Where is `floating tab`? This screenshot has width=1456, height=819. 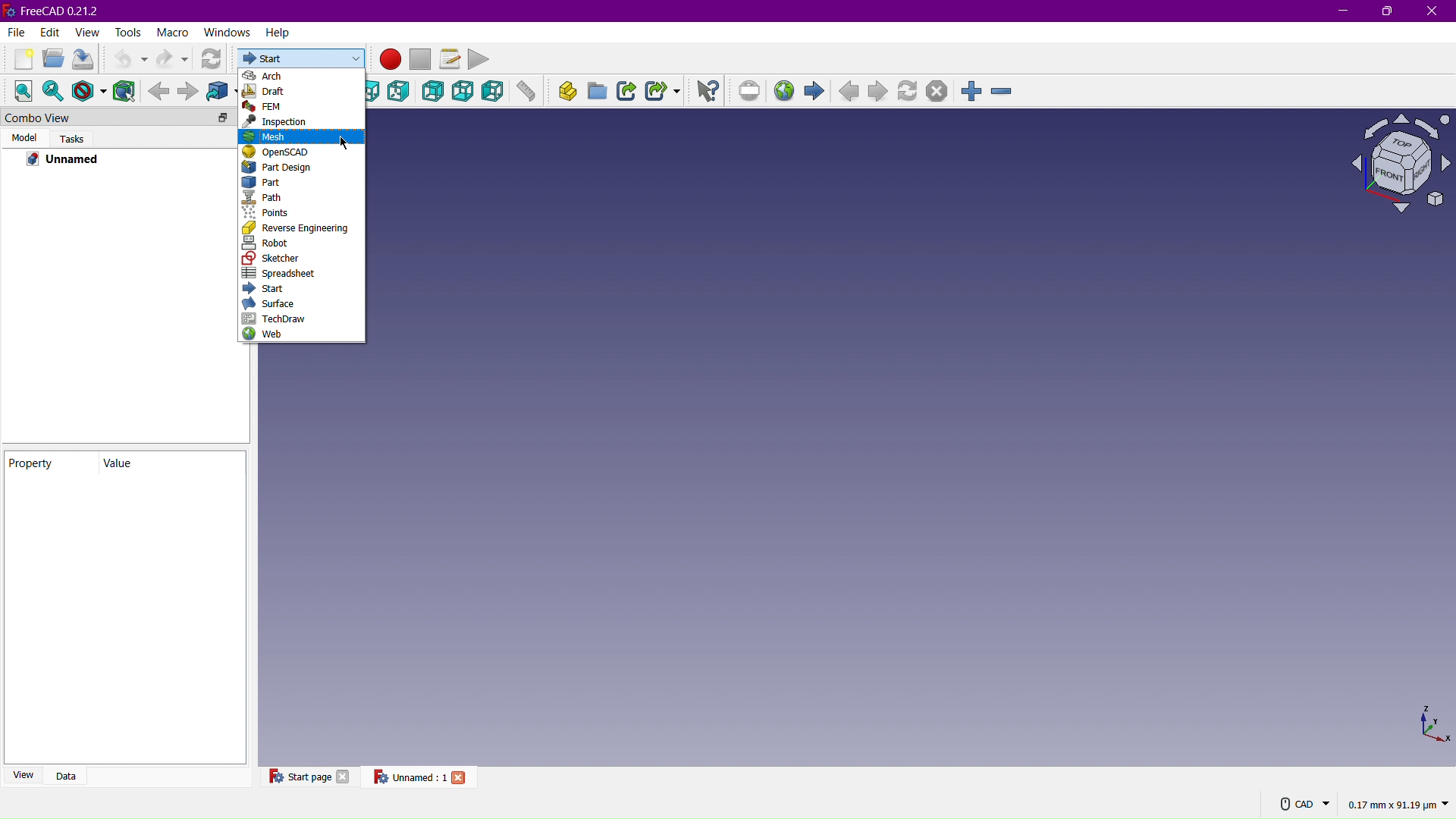
floating tab is located at coordinates (223, 118).